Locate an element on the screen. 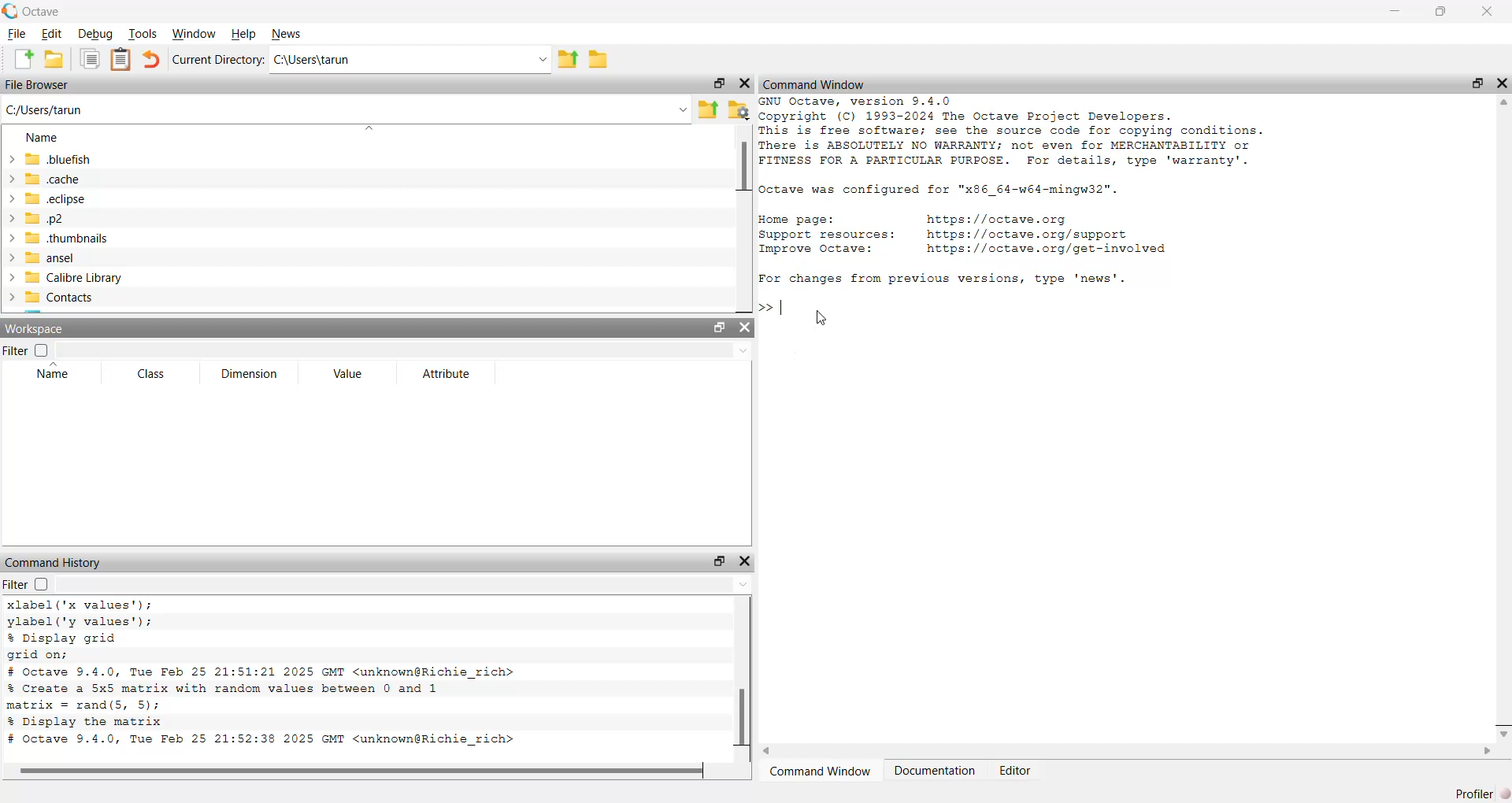 This screenshot has height=803, width=1512. Workspace is located at coordinates (42, 329).